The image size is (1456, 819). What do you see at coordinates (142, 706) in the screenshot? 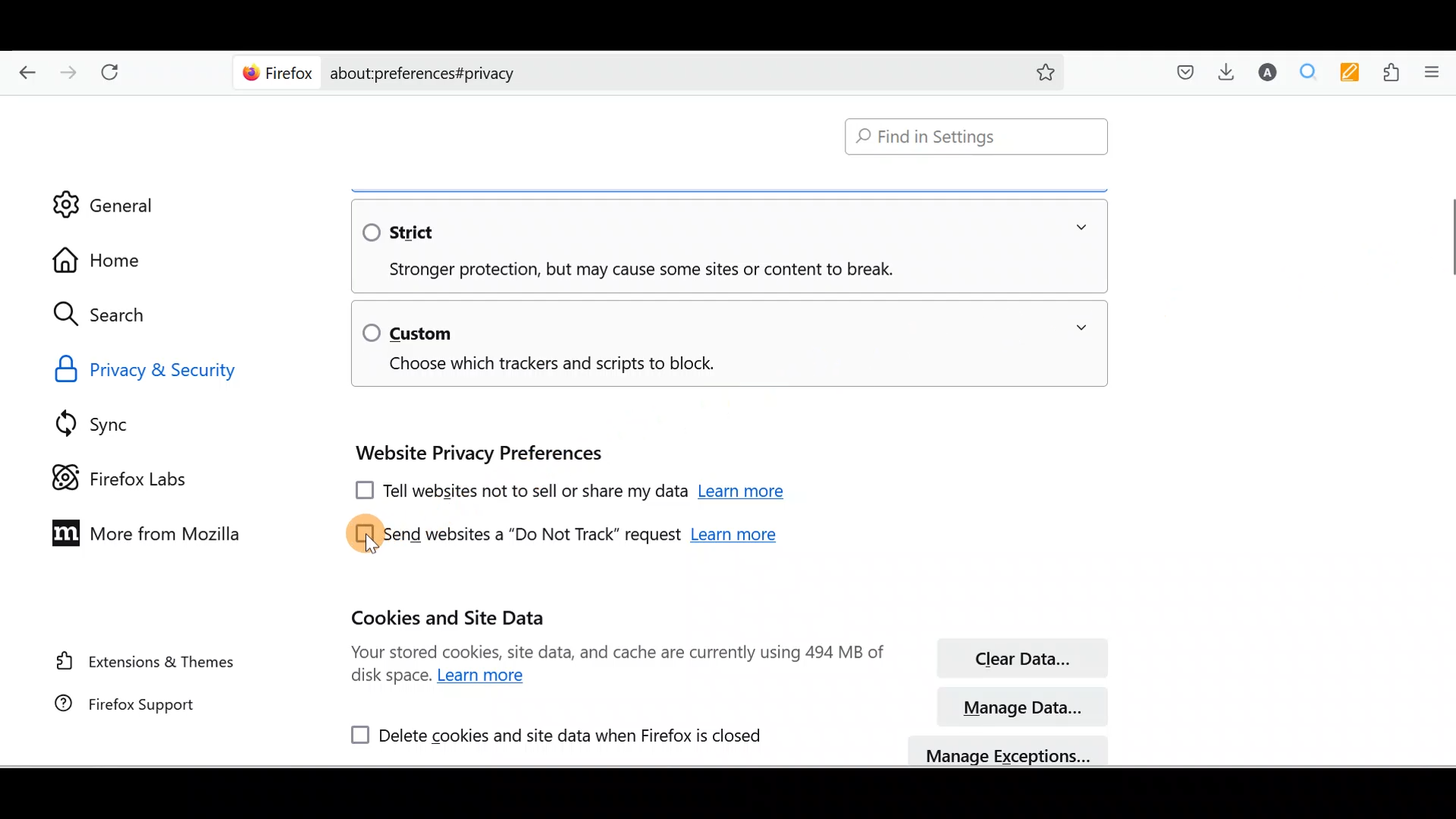
I see `Firefox support` at bounding box center [142, 706].